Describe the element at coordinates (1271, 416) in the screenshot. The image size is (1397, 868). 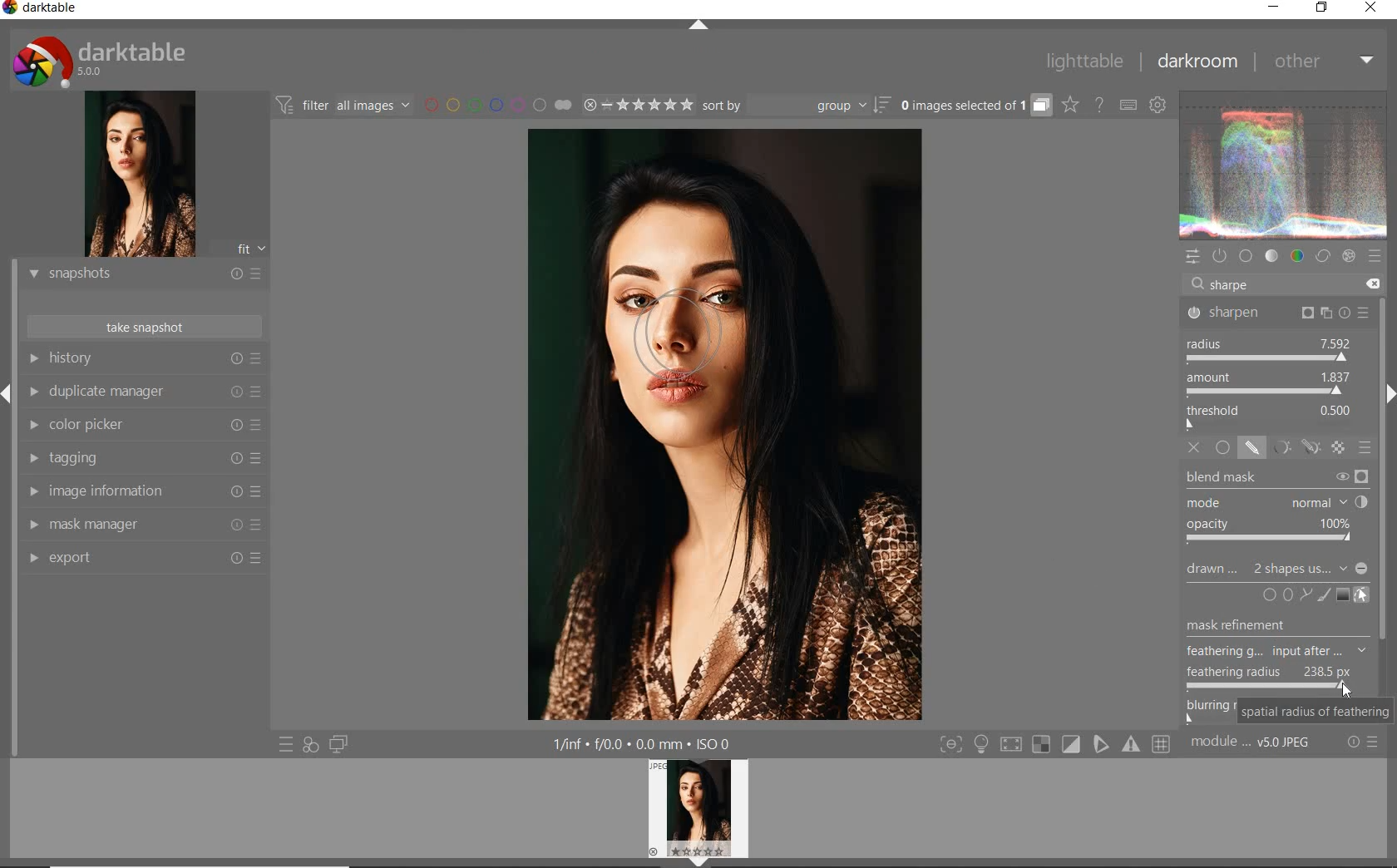
I see `THRESHOLD` at that location.